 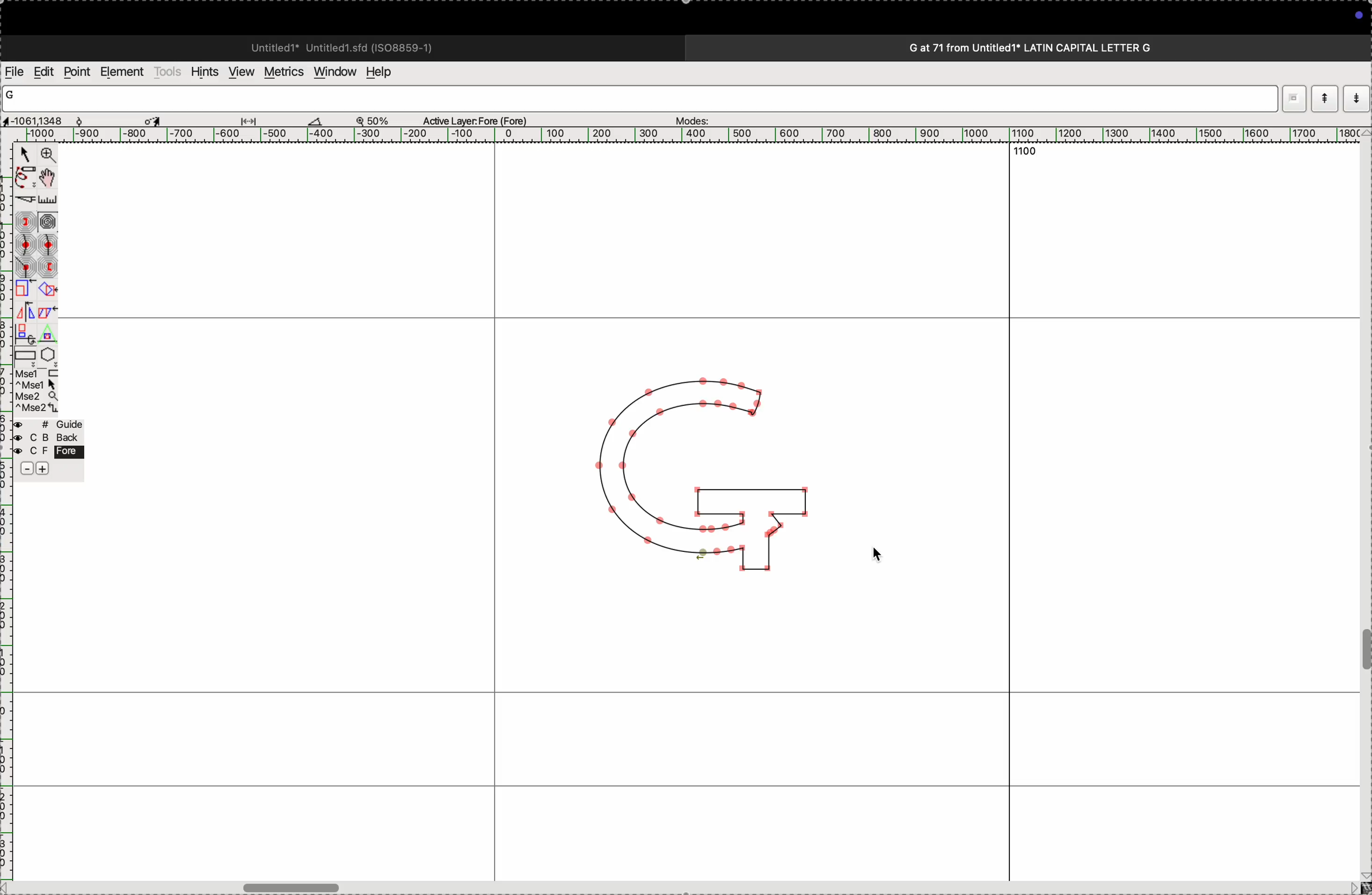 What do you see at coordinates (693, 119) in the screenshot?
I see `modes` at bounding box center [693, 119].